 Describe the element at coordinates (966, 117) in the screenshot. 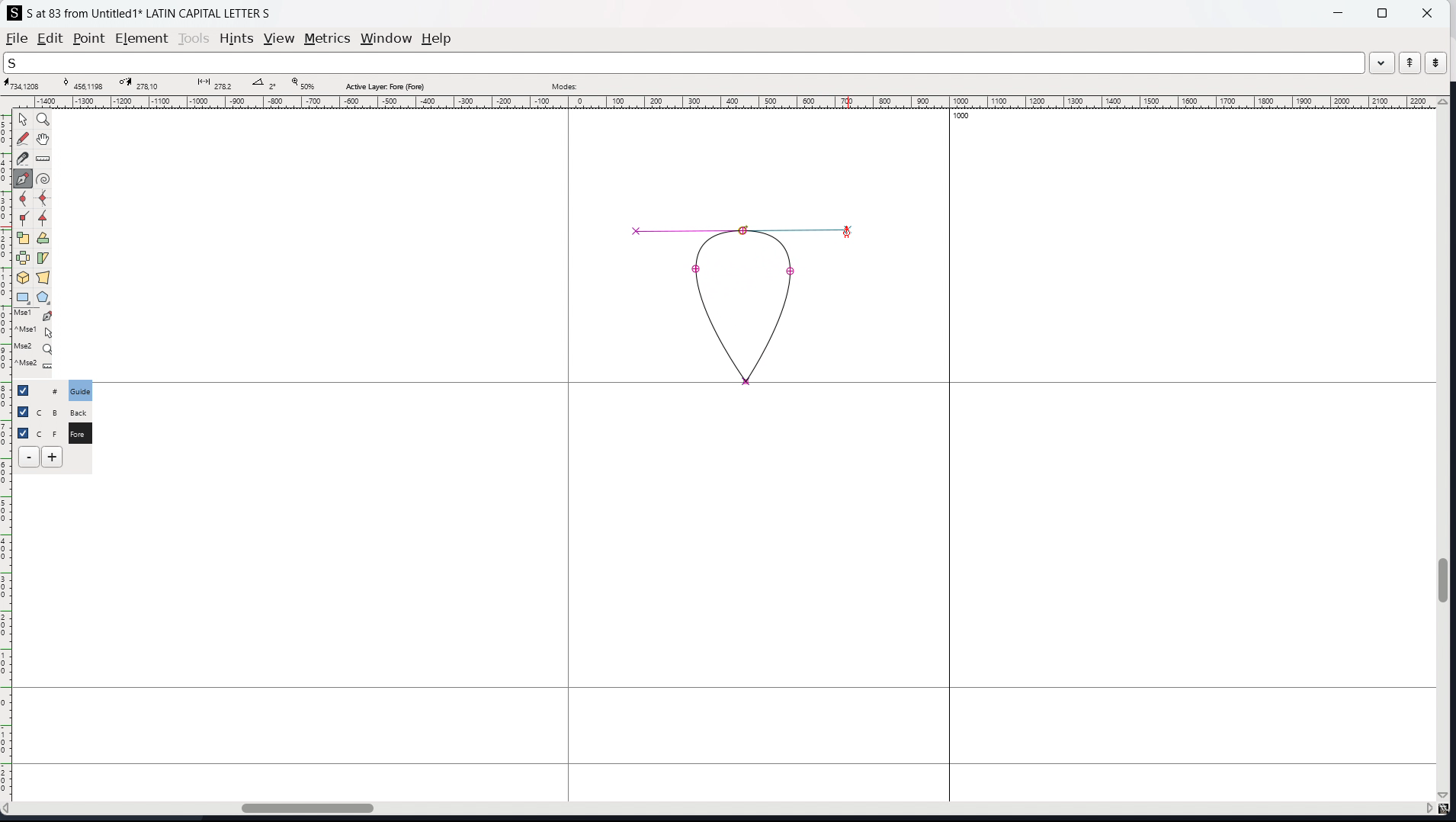

I see `1000` at that location.